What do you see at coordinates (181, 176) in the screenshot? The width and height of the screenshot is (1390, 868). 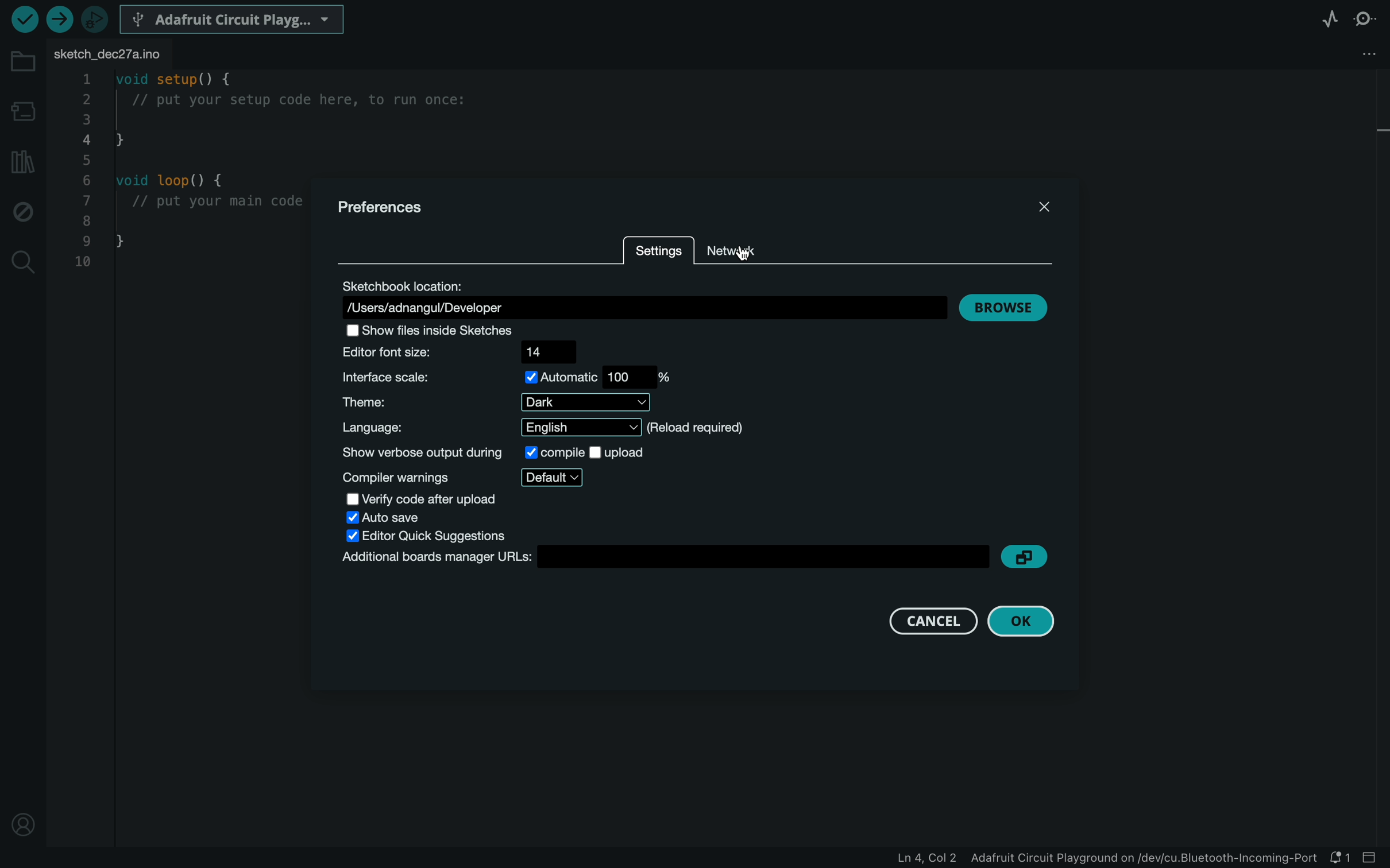 I see `code` at bounding box center [181, 176].